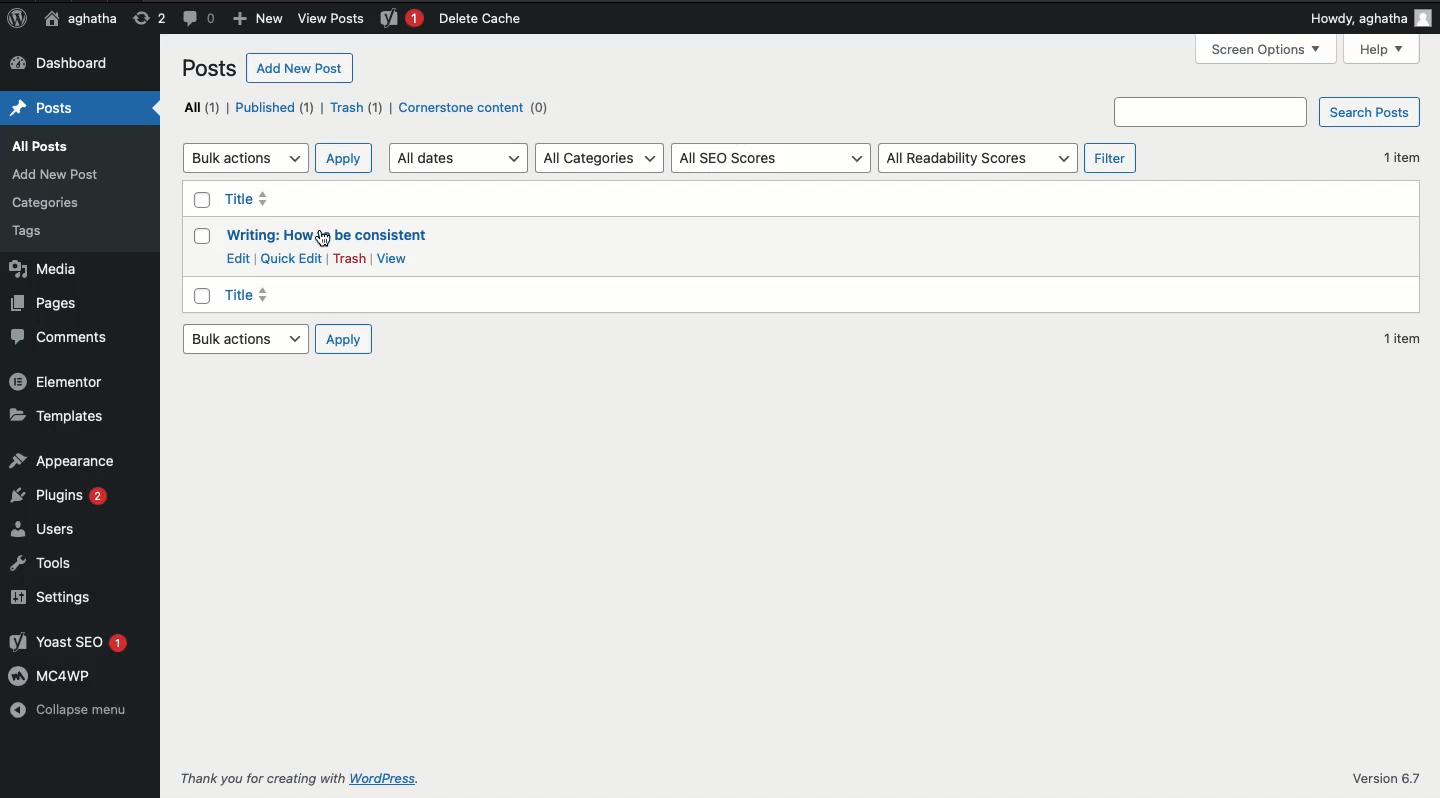 The image size is (1440, 798). What do you see at coordinates (46, 561) in the screenshot?
I see `Tools` at bounding box center [46, 561].